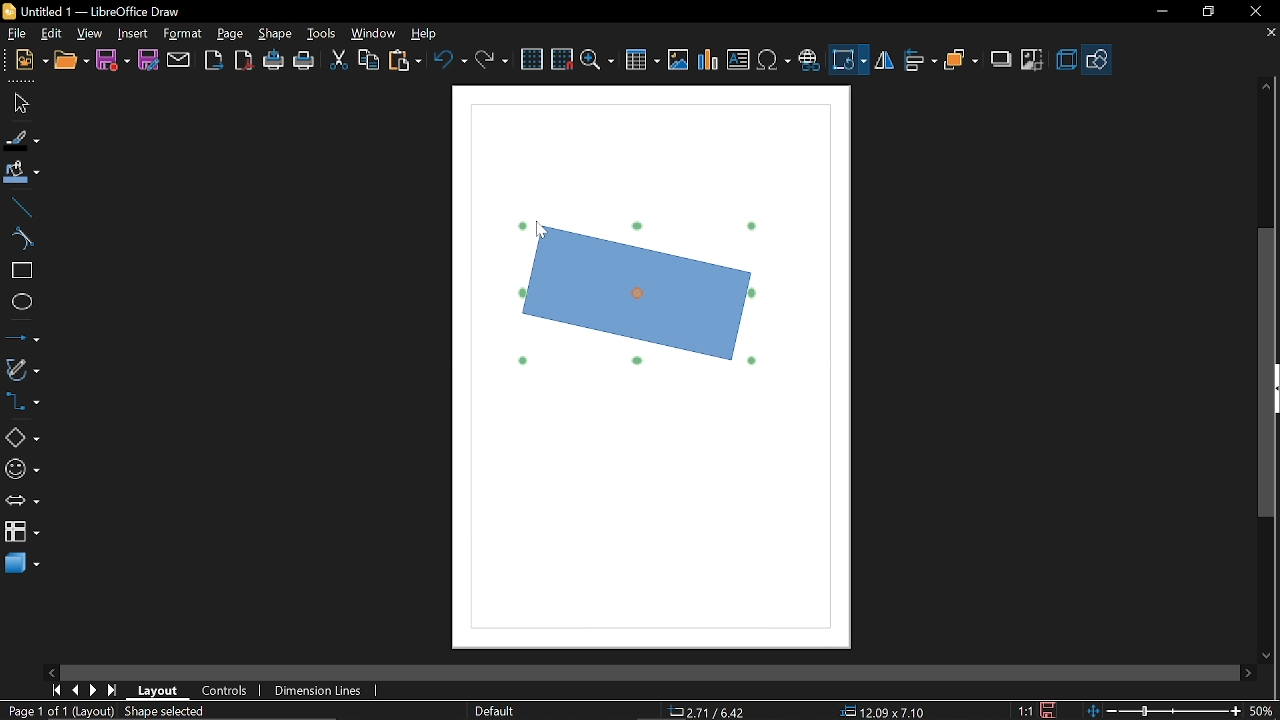 The width and height of the screenshot is (1280, 720). What do you see at coordinates (775, 61) in the screenshot?
I see `Insert symbols` at bounding box center [775, 61].